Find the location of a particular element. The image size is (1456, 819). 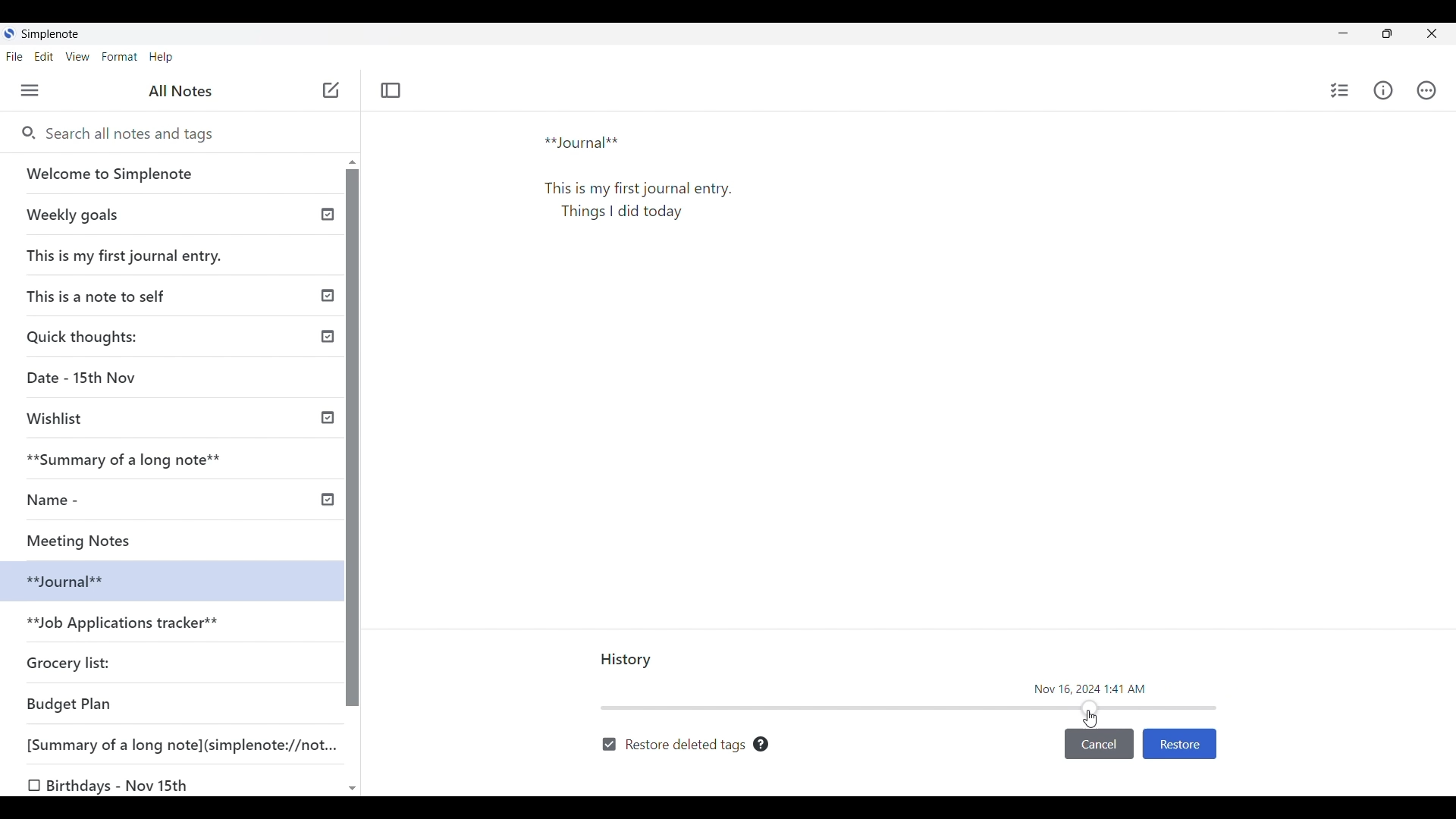

Info is located at coordinates (1382, 89).